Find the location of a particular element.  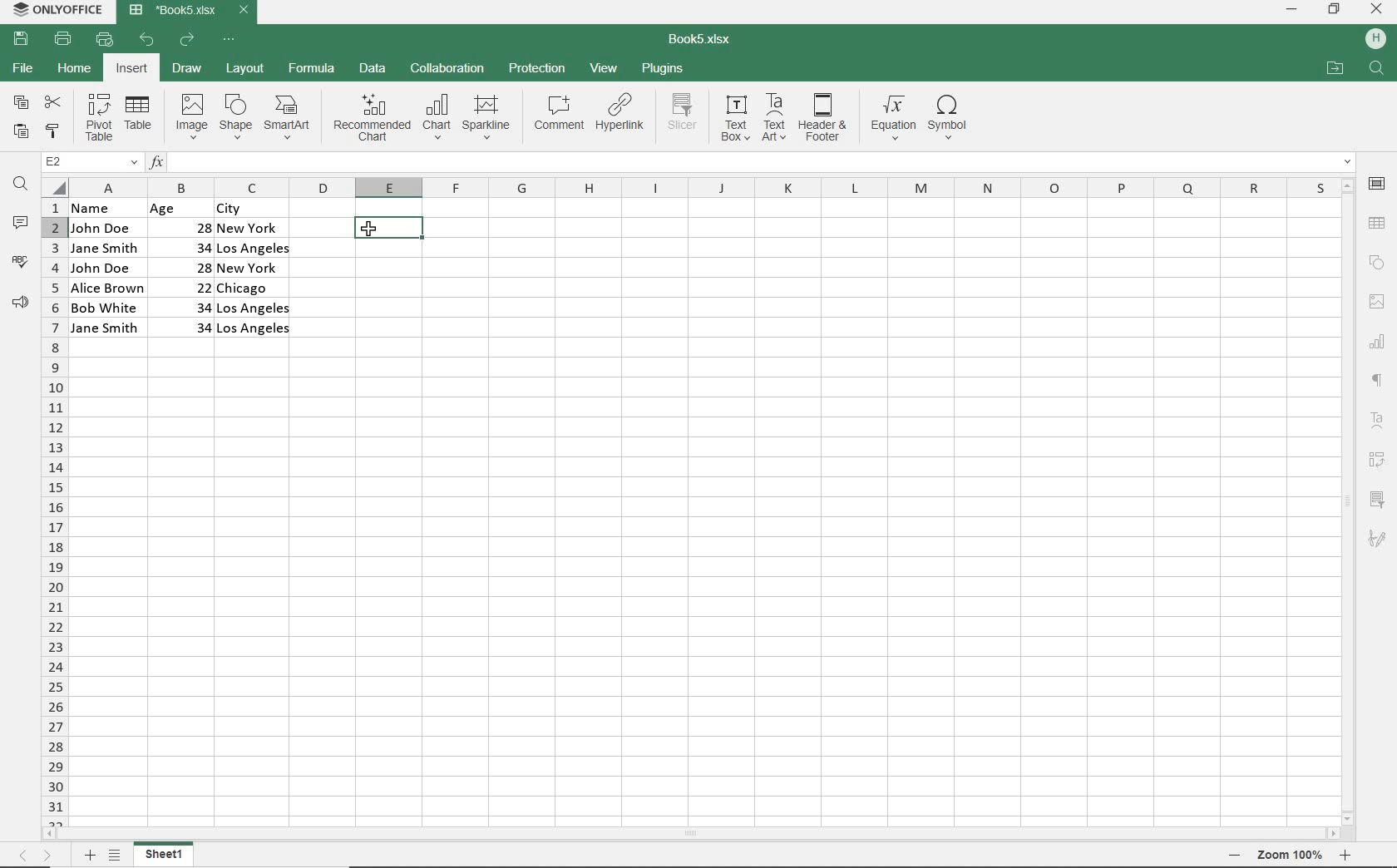

FIND is located at coordinates (1379, 70).